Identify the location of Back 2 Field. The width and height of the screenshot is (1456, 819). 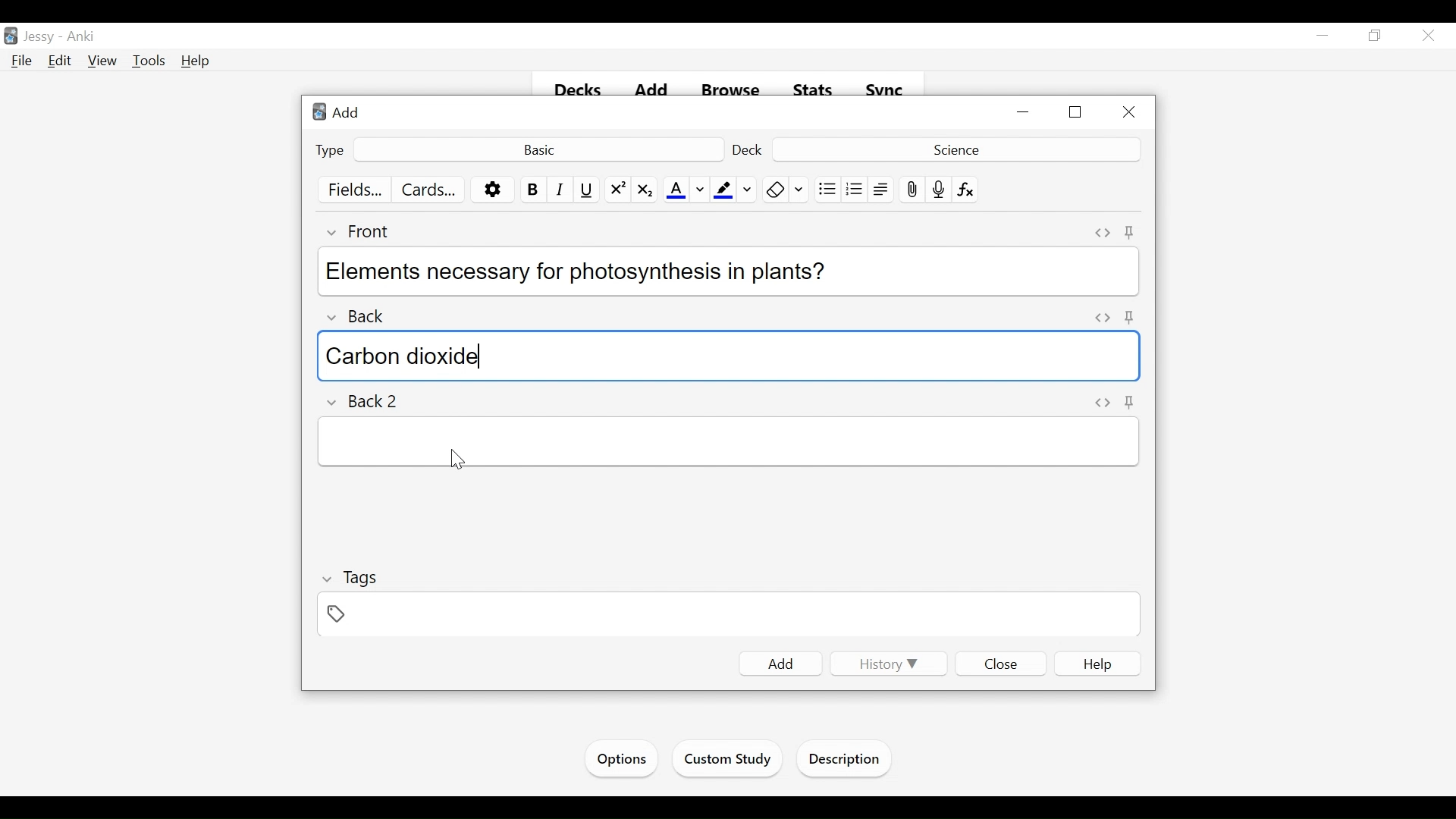
(729, 443).